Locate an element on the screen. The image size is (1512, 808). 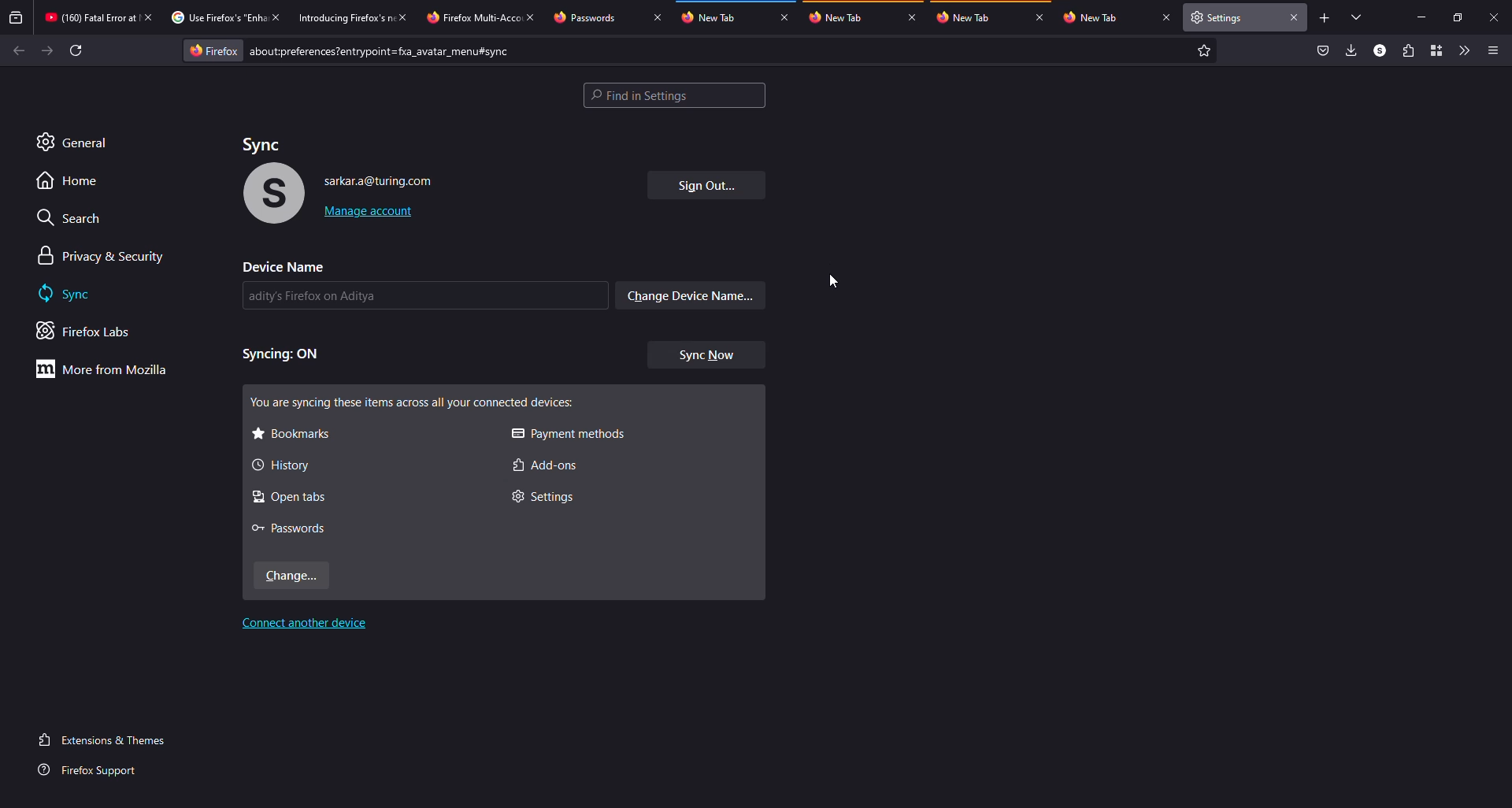
miimize is located at coordinates (1422, 17).